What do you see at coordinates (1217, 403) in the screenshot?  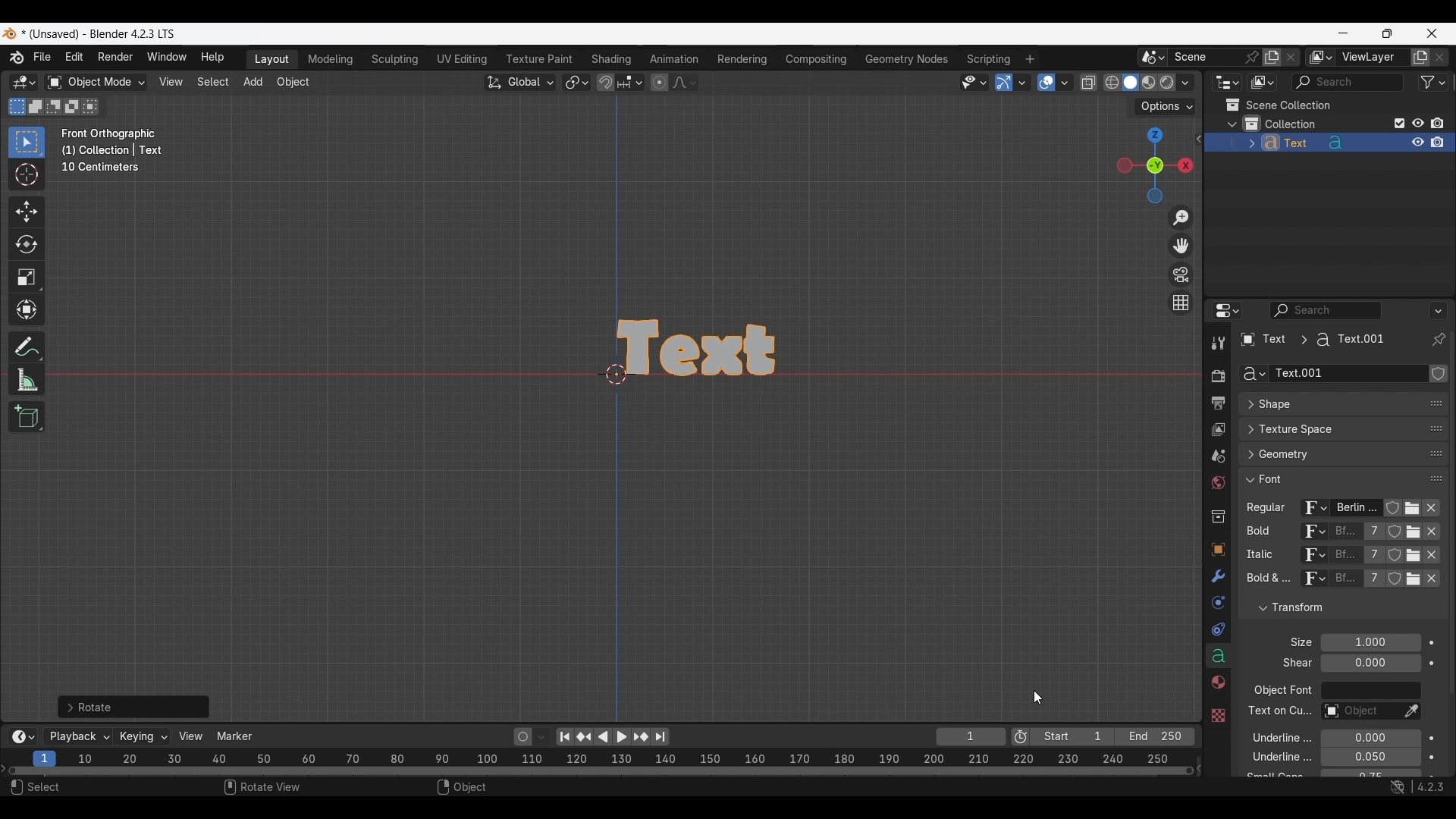 I see `Output` at bounding box center [1217, 403].